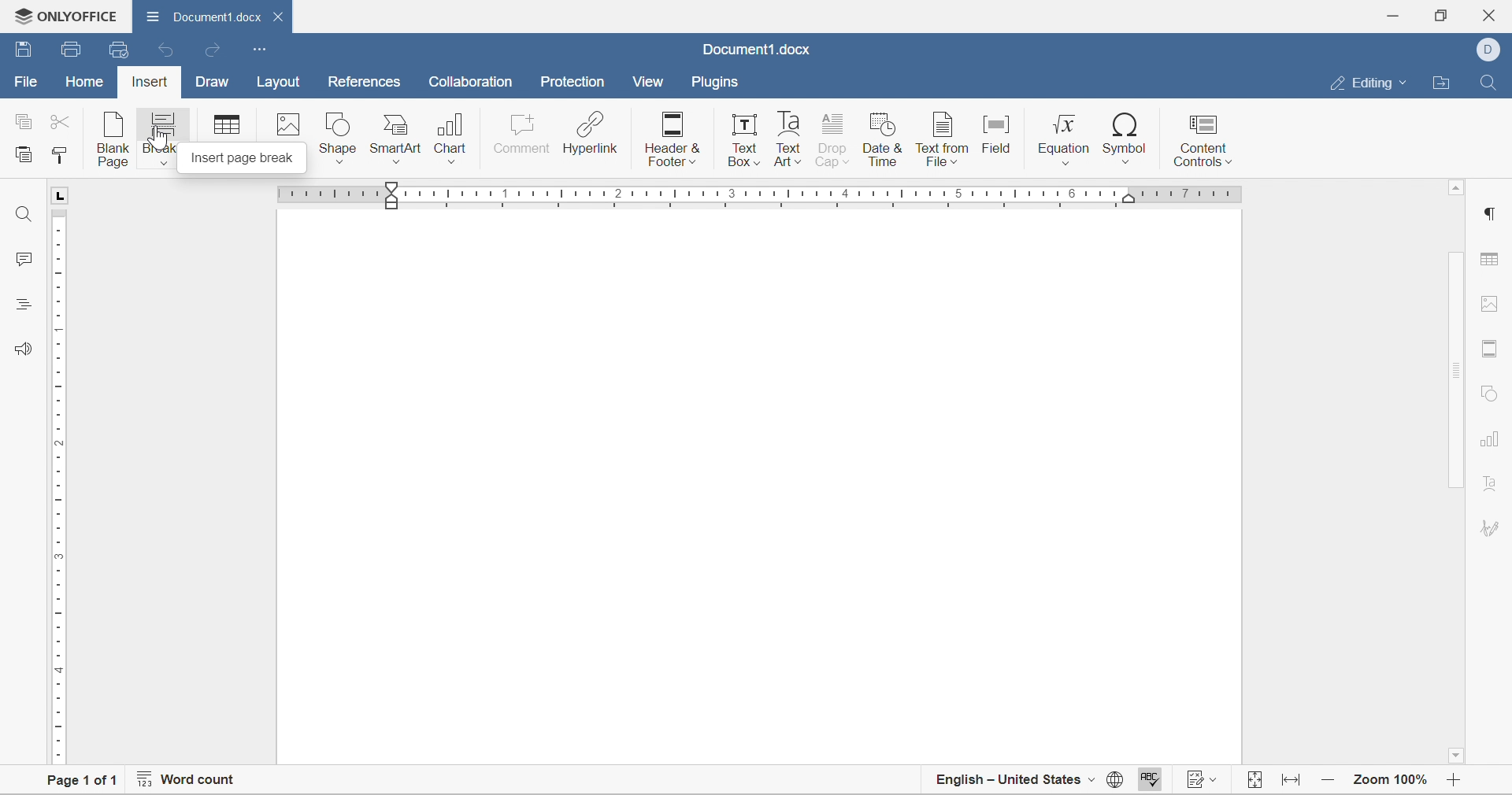 This screenshot has height=795, width=1512. What do you see at coordinates (25, 259) in the screenshot?
I see `Comments` at bounding box center [25, 259].